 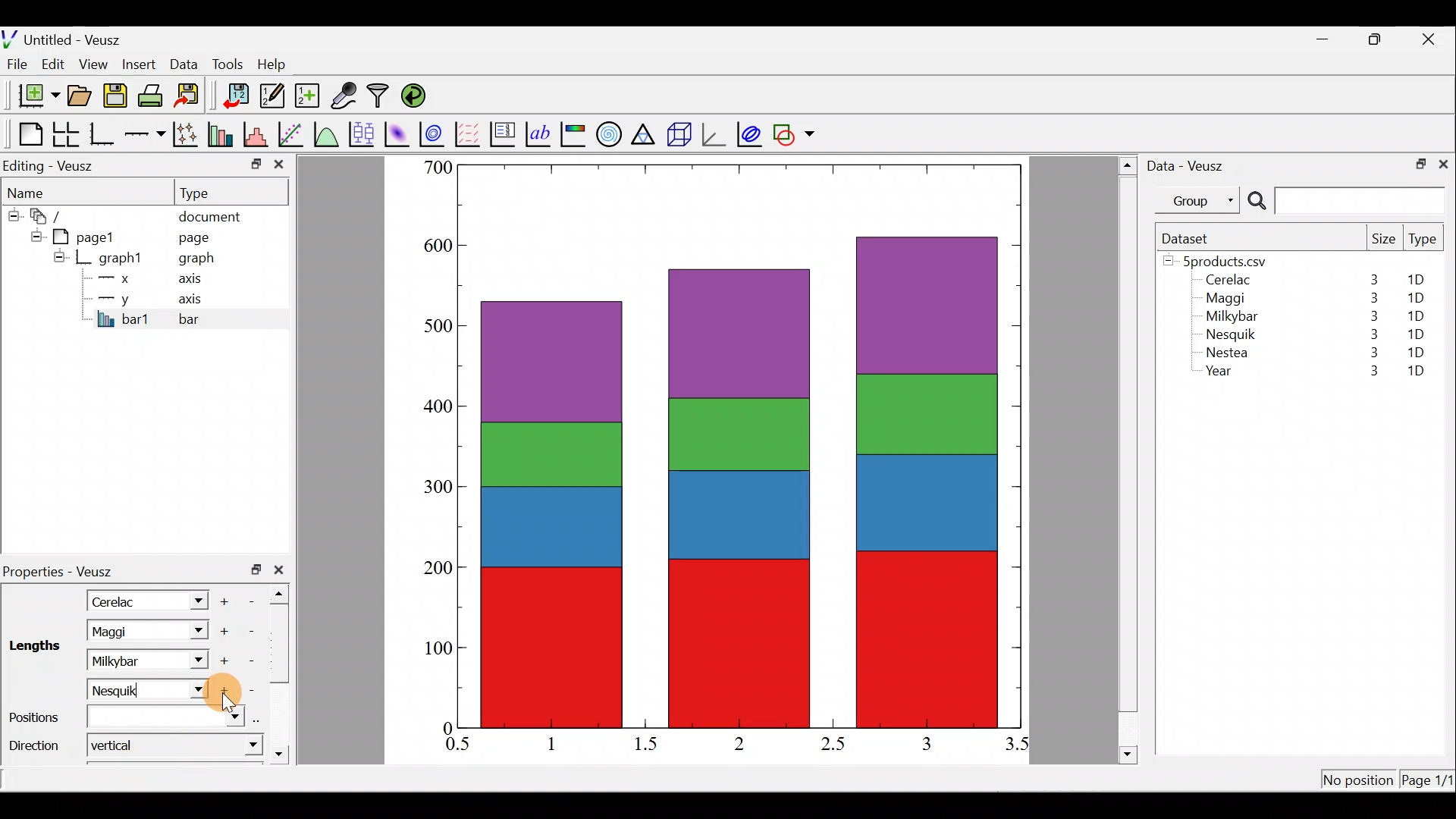 I want to click on Edit, so click(x=53, y=63).